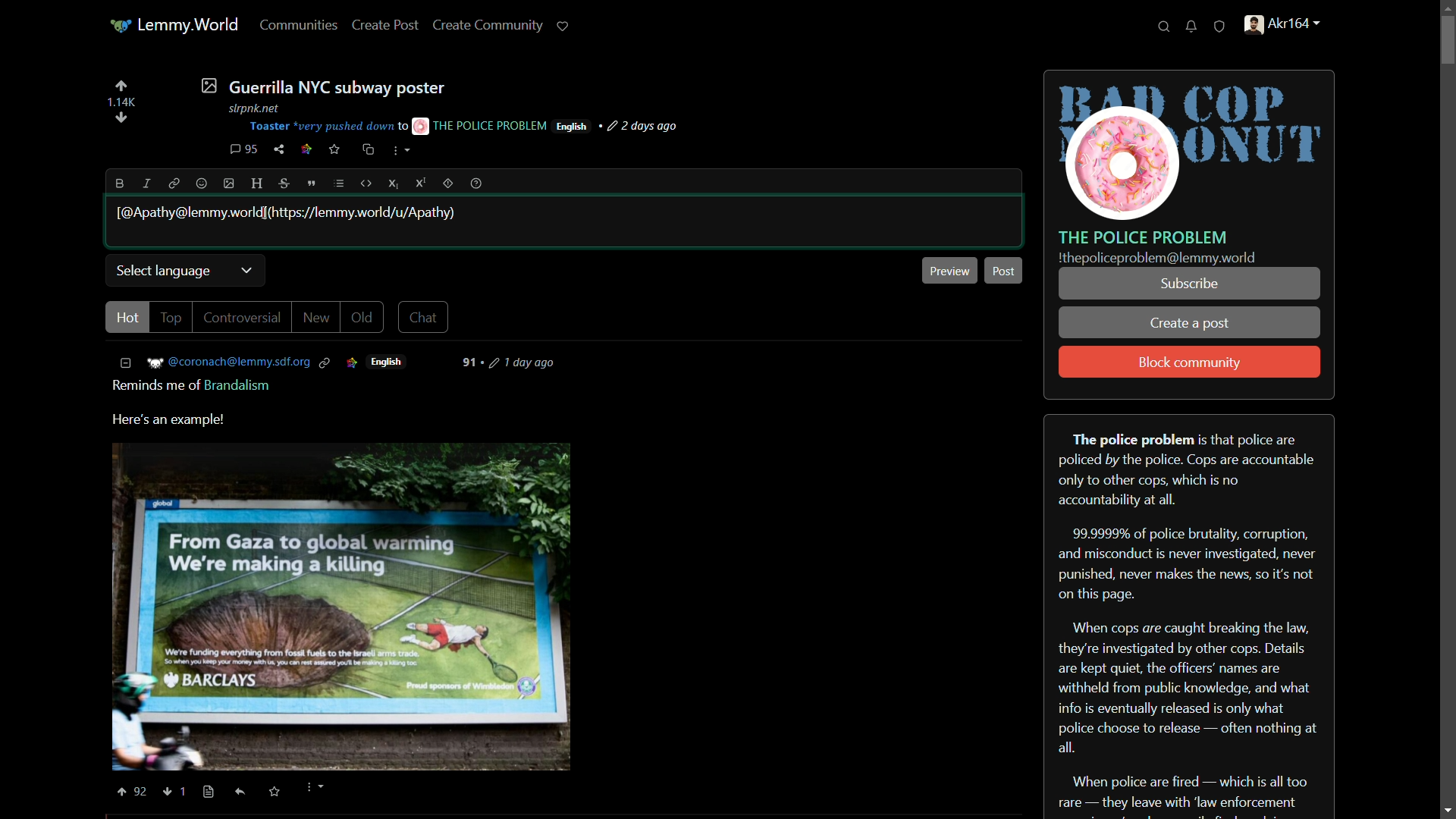  What do you see at coordinates (951, 270) in the screenshot?
I see `preview ` at bounding box center [951, 270].